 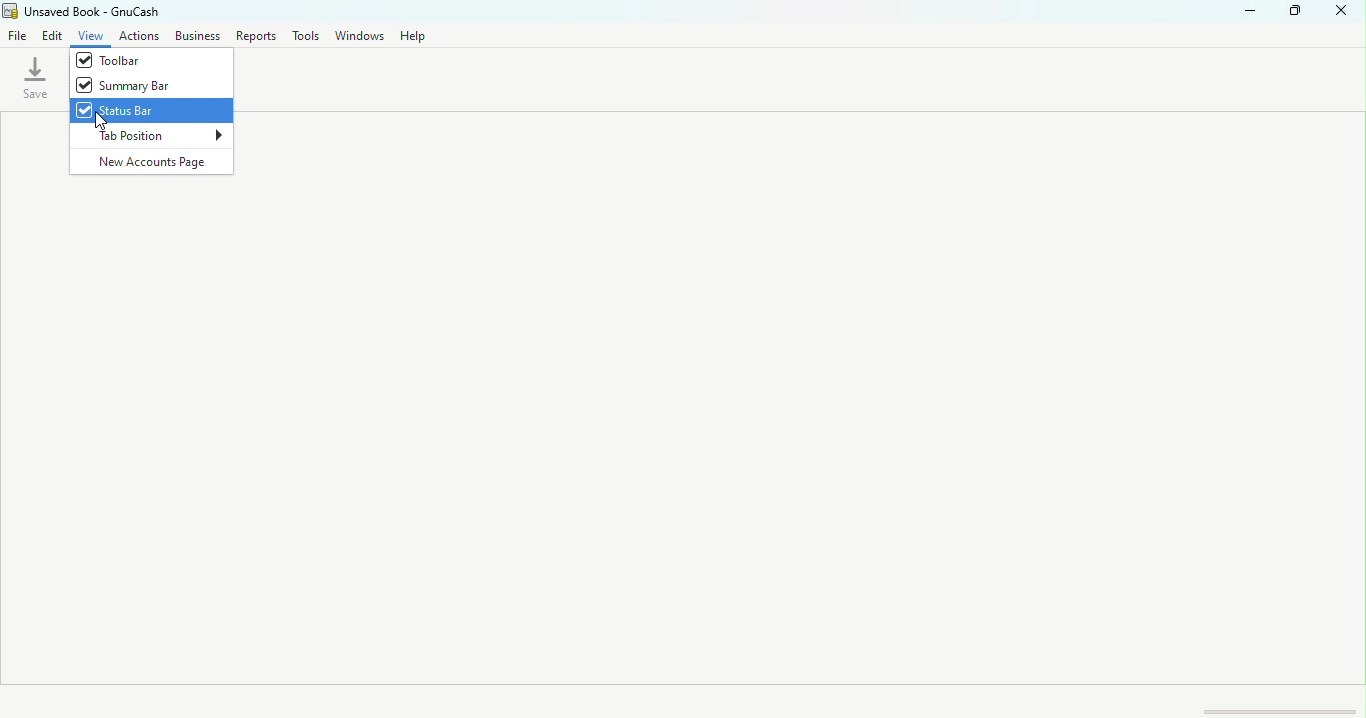 What do you see at coordinates (414, 35) in the screenshot?
I see `Help` at bounding box center [414, 35].